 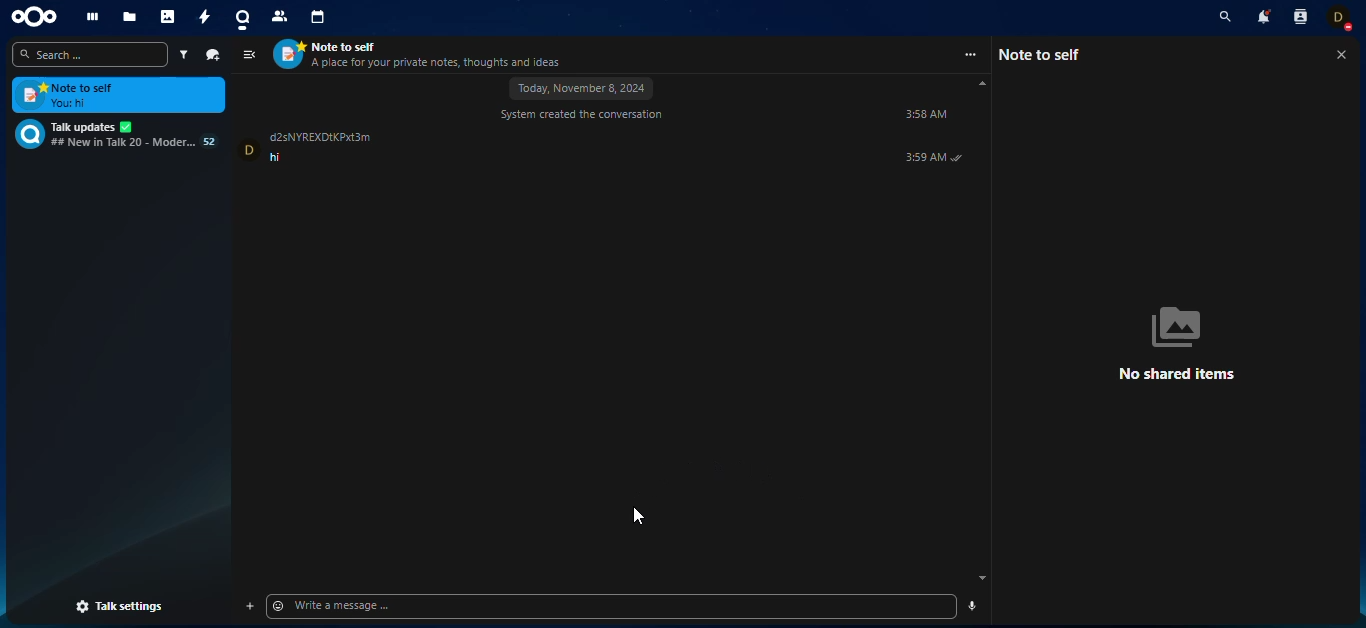 I want to click on contact, so click(x=1300, y=20).